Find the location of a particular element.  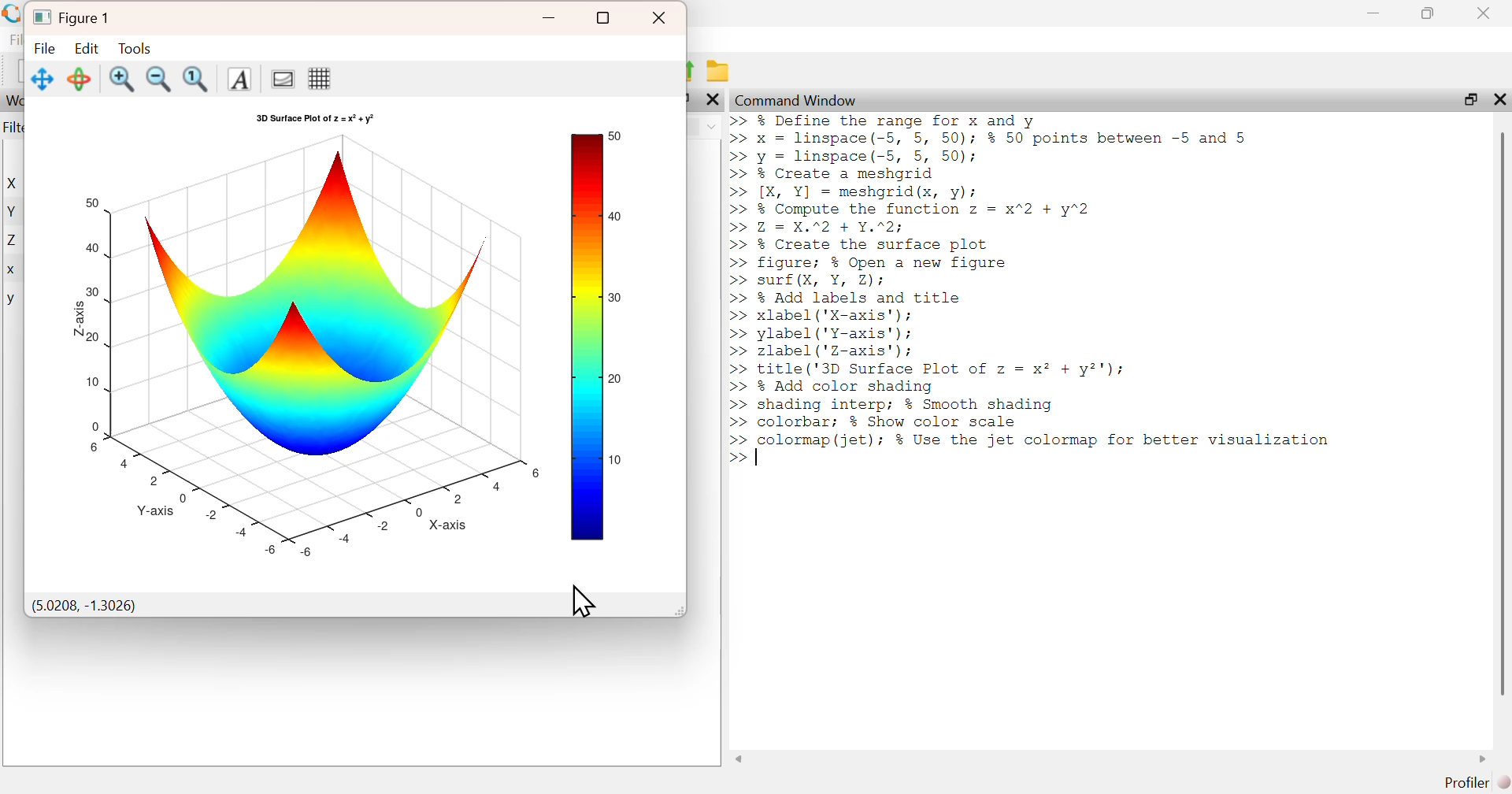

Y is located at coordinates (13, 211).